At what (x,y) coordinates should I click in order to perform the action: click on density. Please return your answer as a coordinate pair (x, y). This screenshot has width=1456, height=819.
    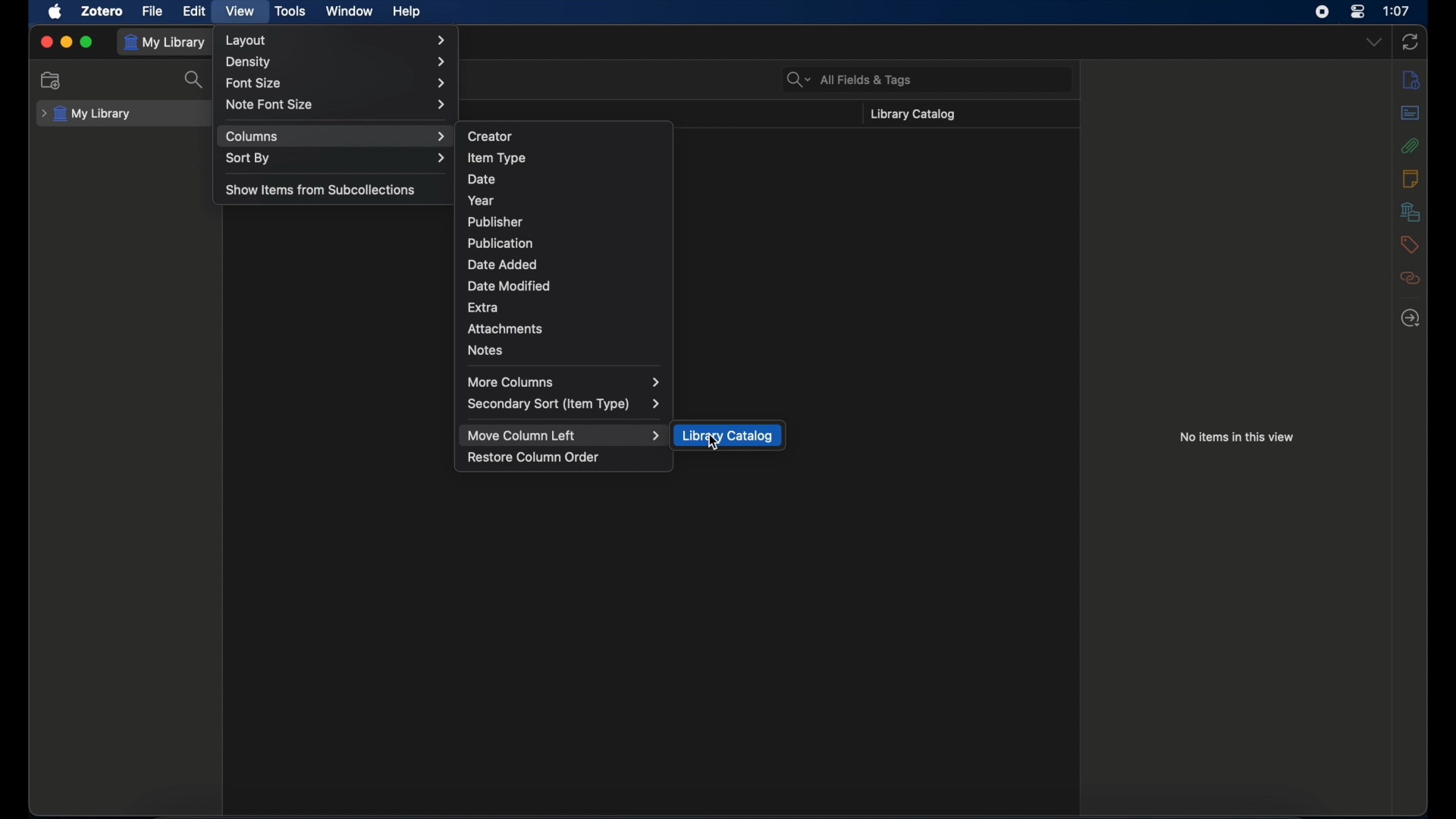
    Looking at the image, I should click on (337, 63).